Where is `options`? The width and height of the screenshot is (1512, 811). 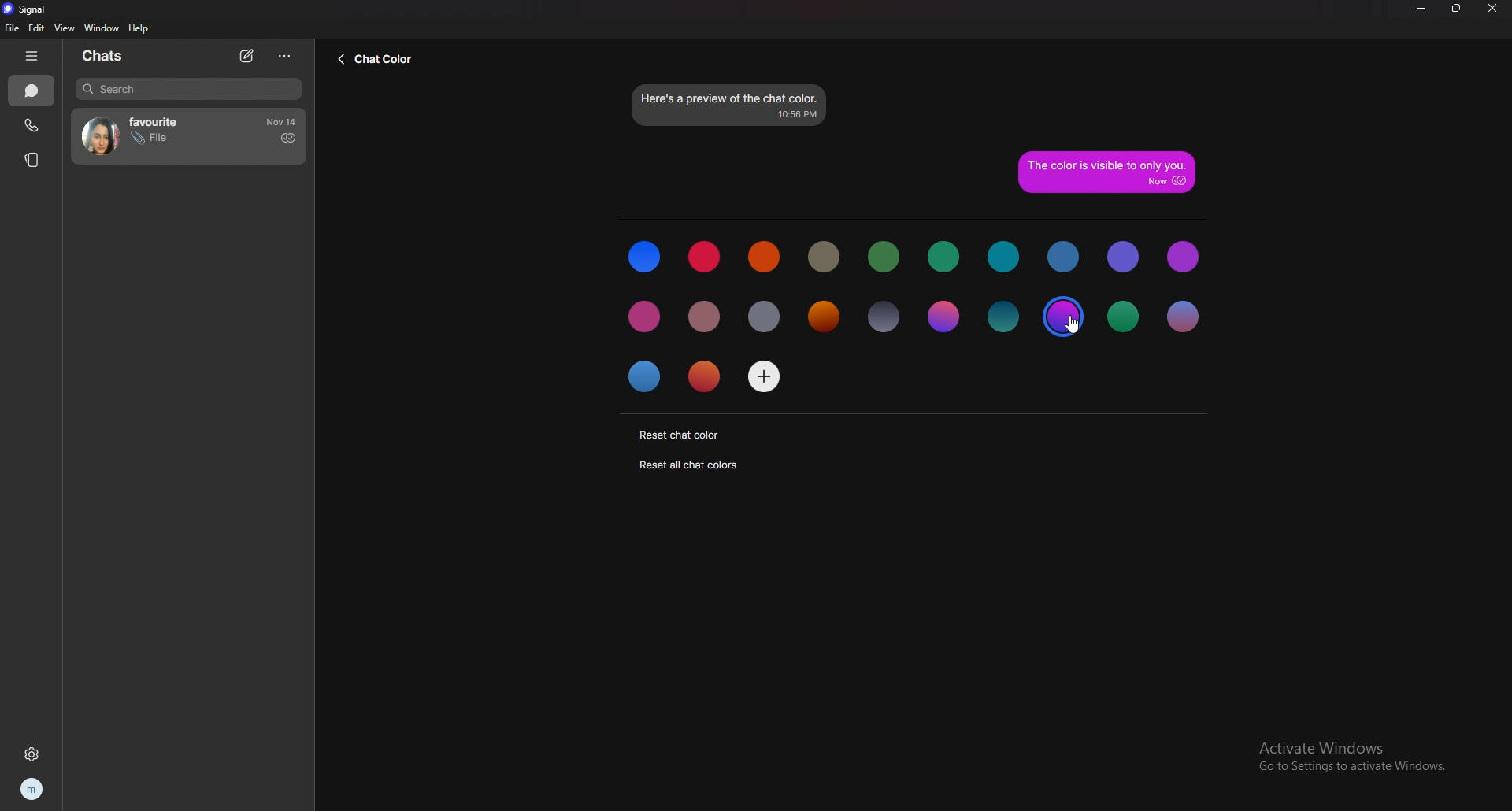
options is located at coordinates (283, 57).